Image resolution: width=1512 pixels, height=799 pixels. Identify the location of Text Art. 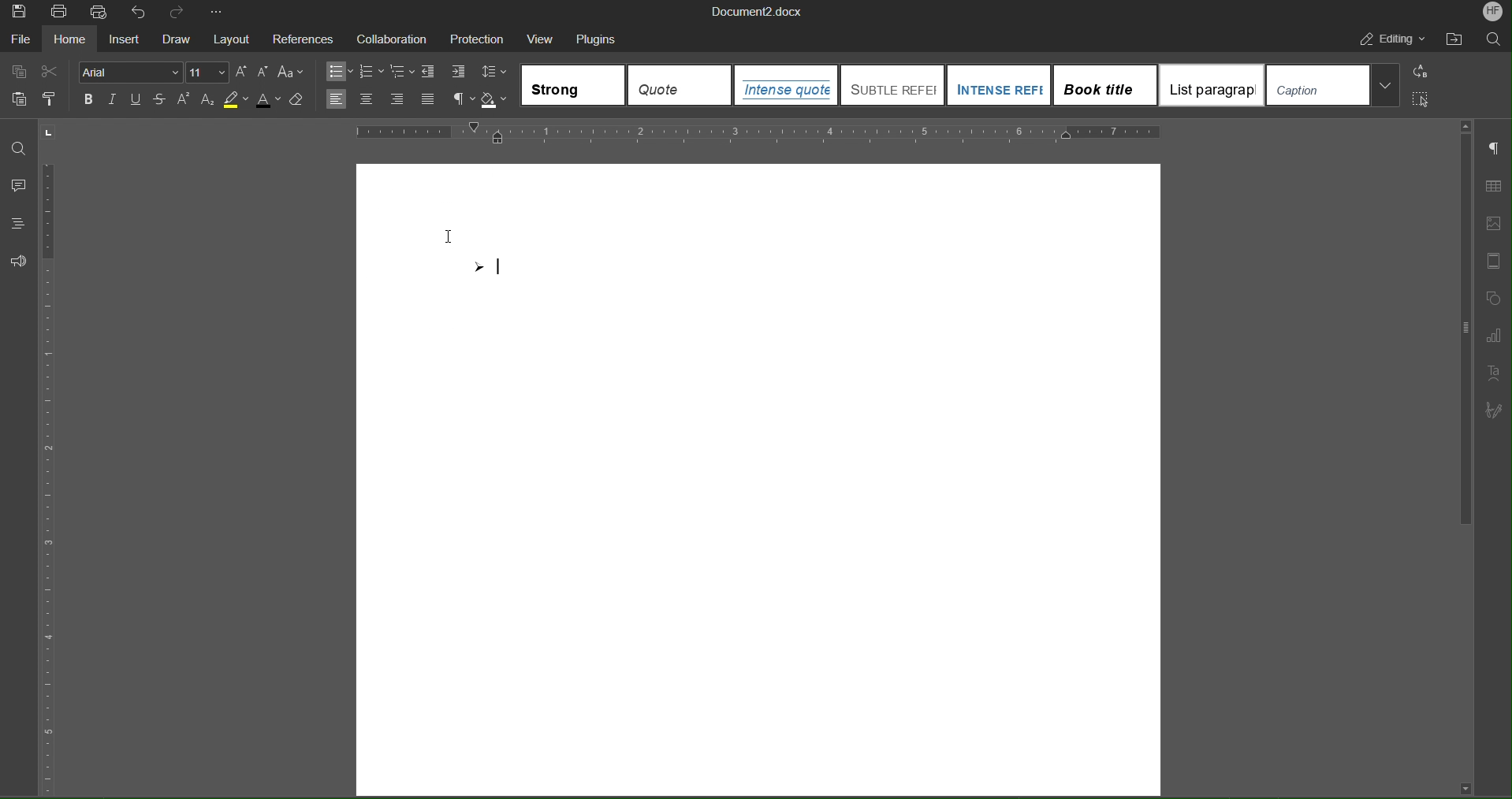
(1492, 370).